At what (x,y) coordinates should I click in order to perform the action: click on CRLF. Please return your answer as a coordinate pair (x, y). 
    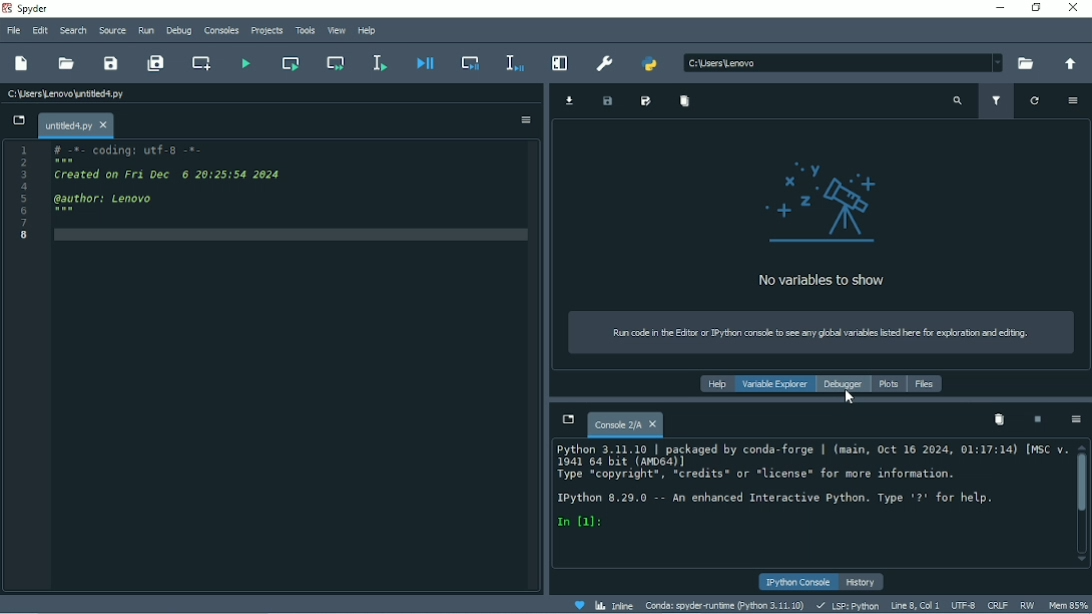
    Looking at the image, I should click on (997, 606).